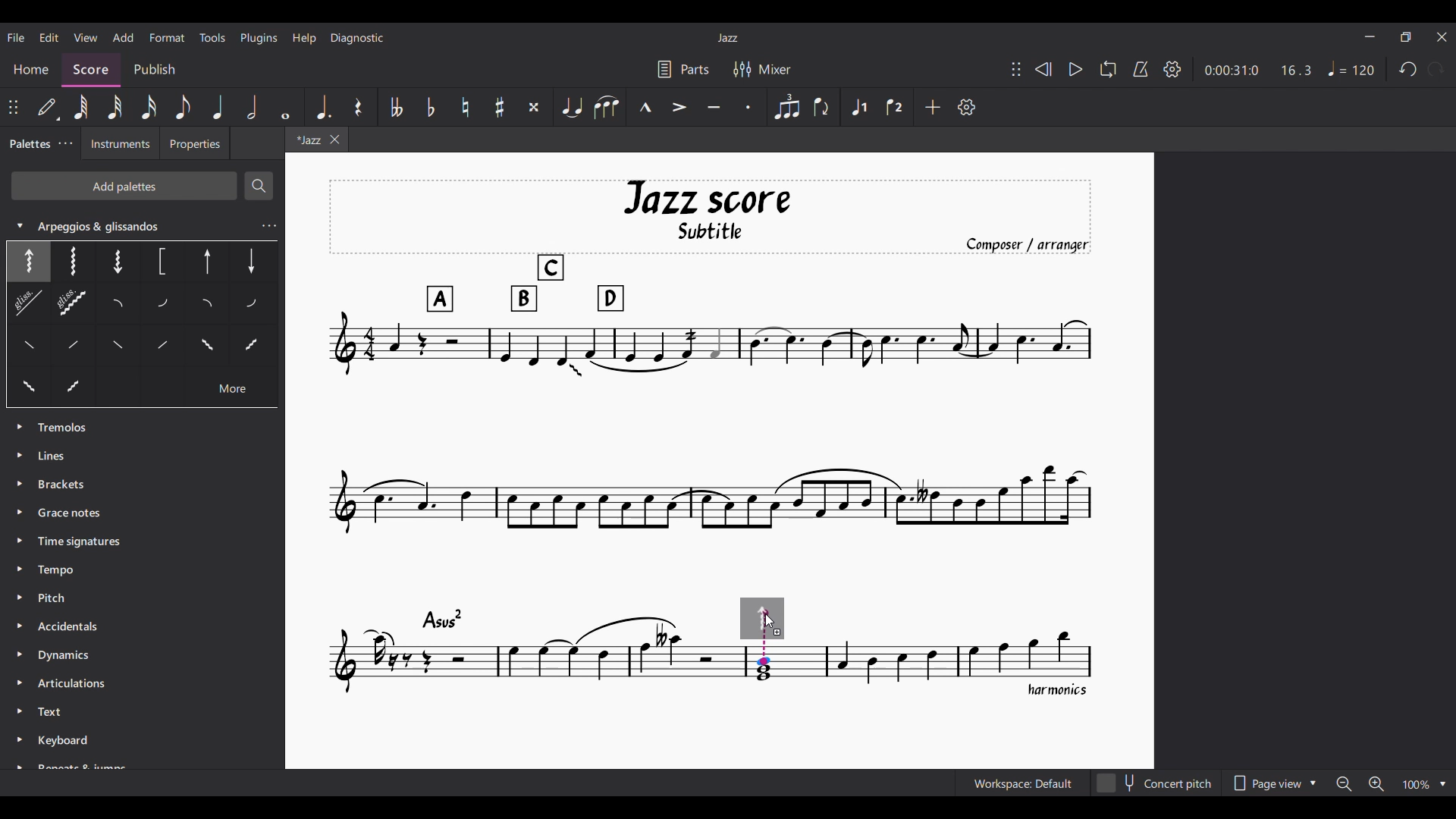  I want to click on Properties, so click(196, 143).